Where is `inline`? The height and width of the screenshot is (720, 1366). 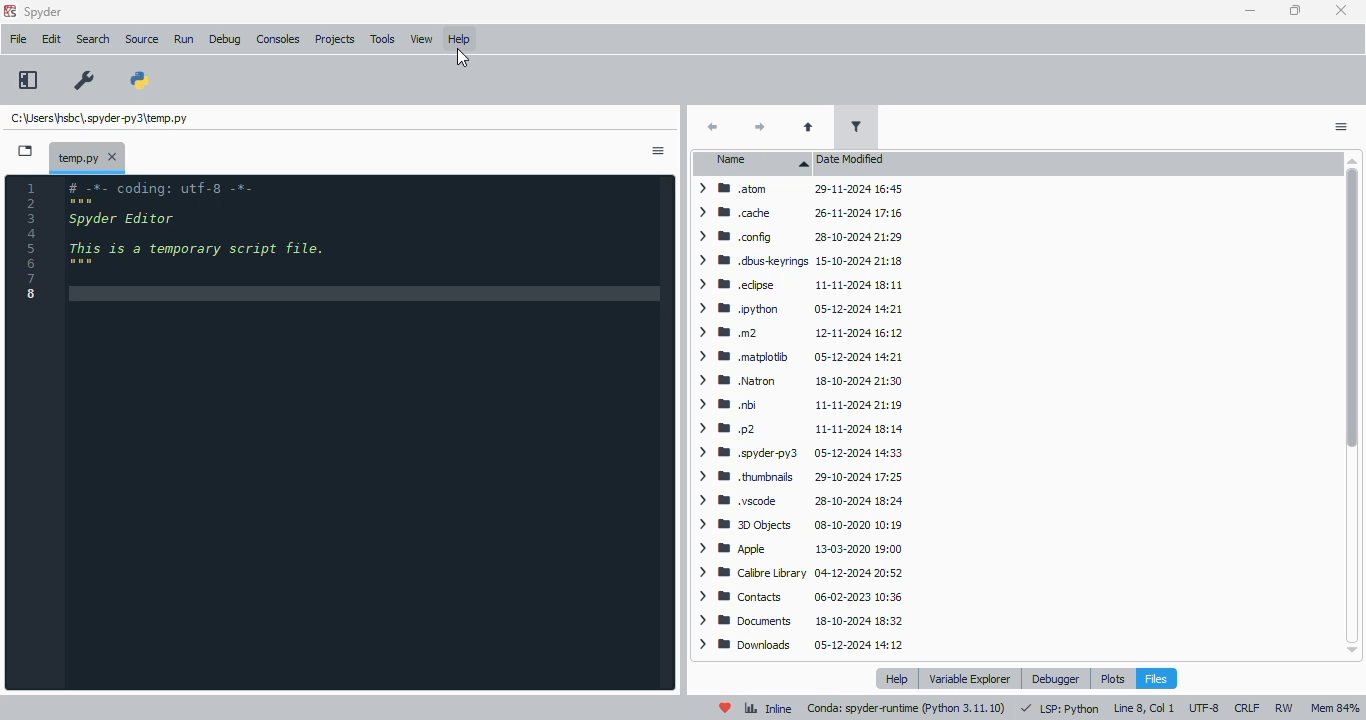
inline is located at coordinates (768, 708).